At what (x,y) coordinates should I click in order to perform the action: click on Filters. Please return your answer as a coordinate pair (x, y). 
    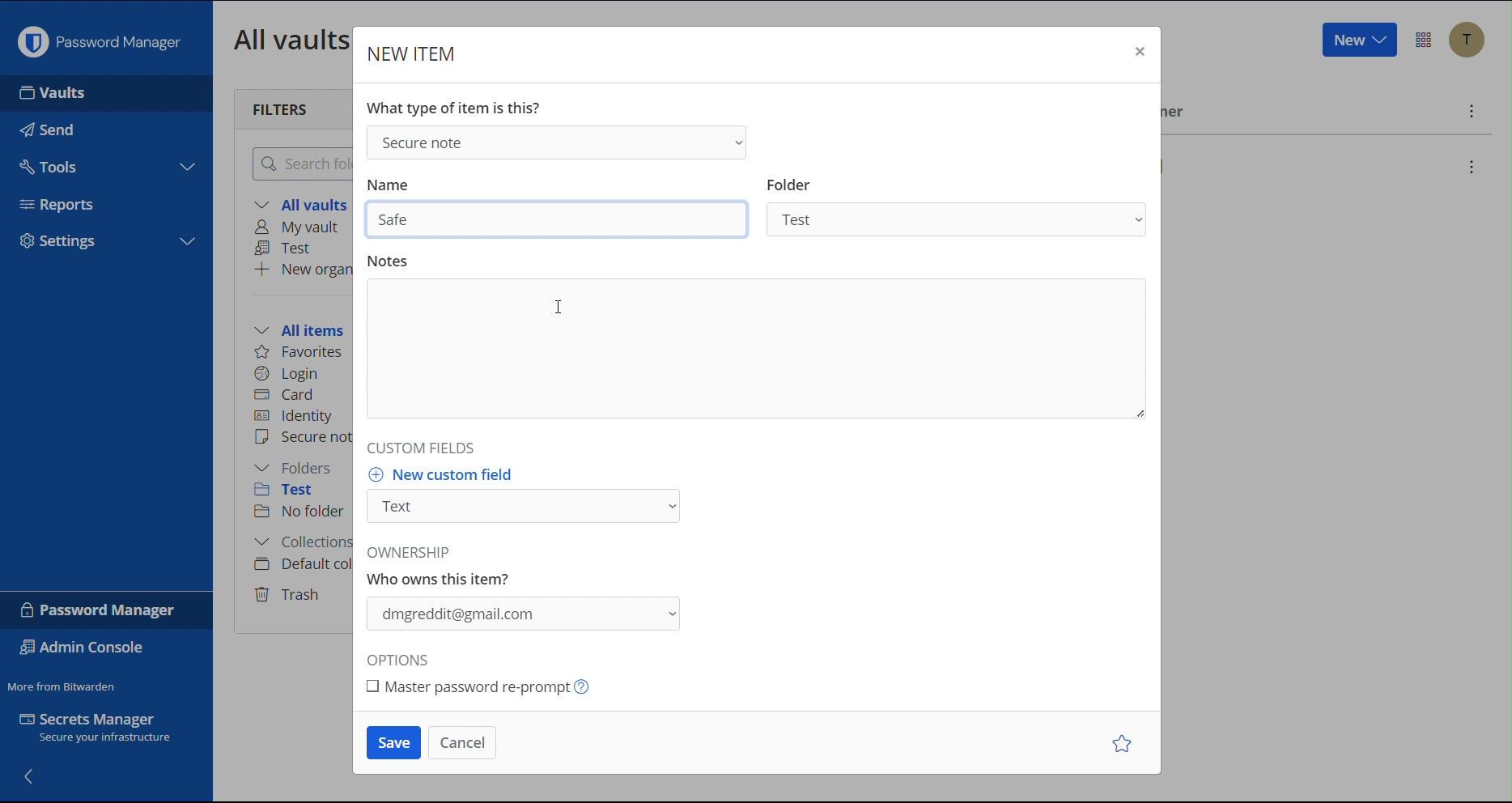
    Looking at the image, I should click on (282, 108).